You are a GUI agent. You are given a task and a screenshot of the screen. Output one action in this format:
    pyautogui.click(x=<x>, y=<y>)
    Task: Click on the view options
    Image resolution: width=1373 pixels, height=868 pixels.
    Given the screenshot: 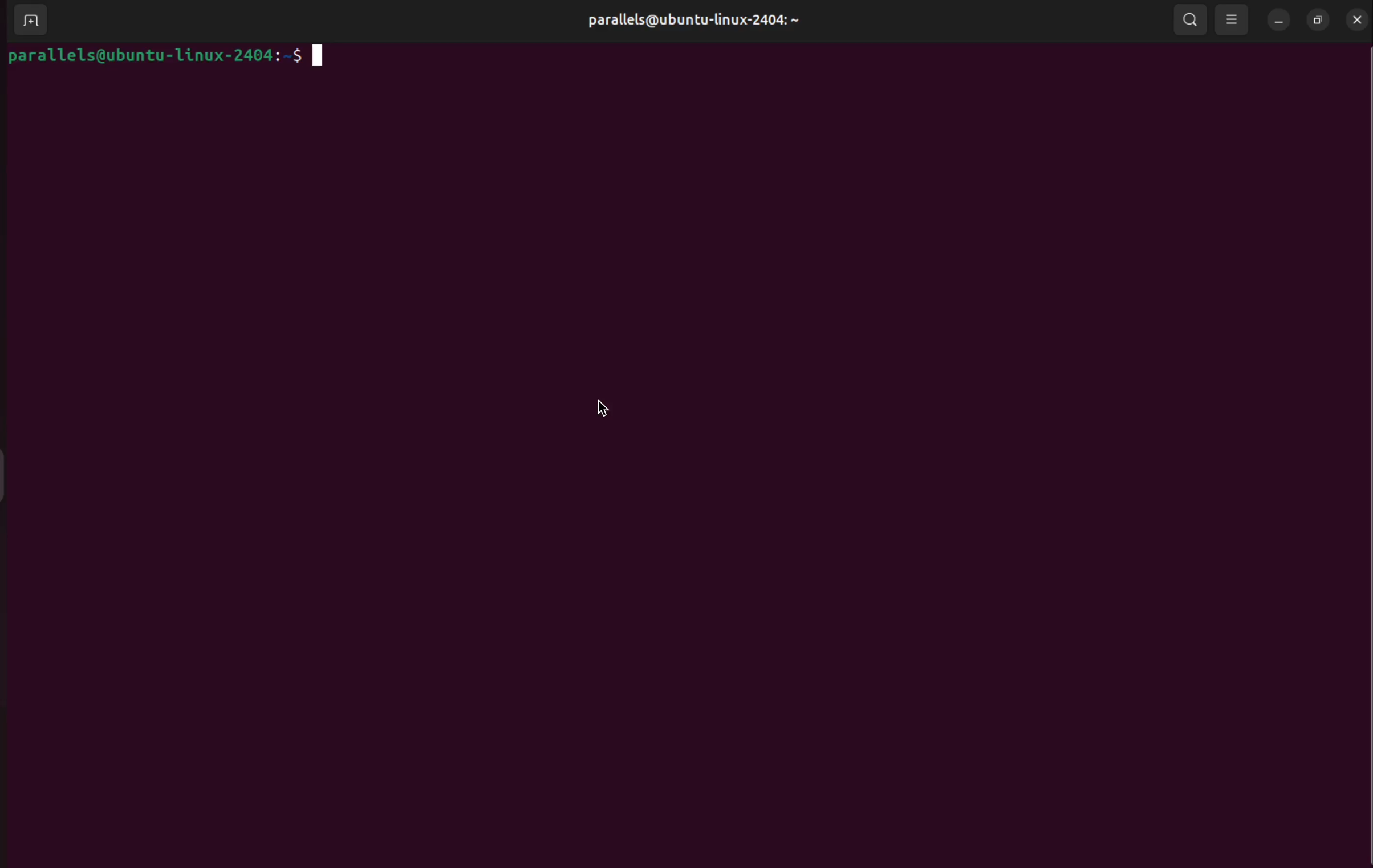 What is the action you would take?
    pyautogui.click(x=1234, y=21)
    